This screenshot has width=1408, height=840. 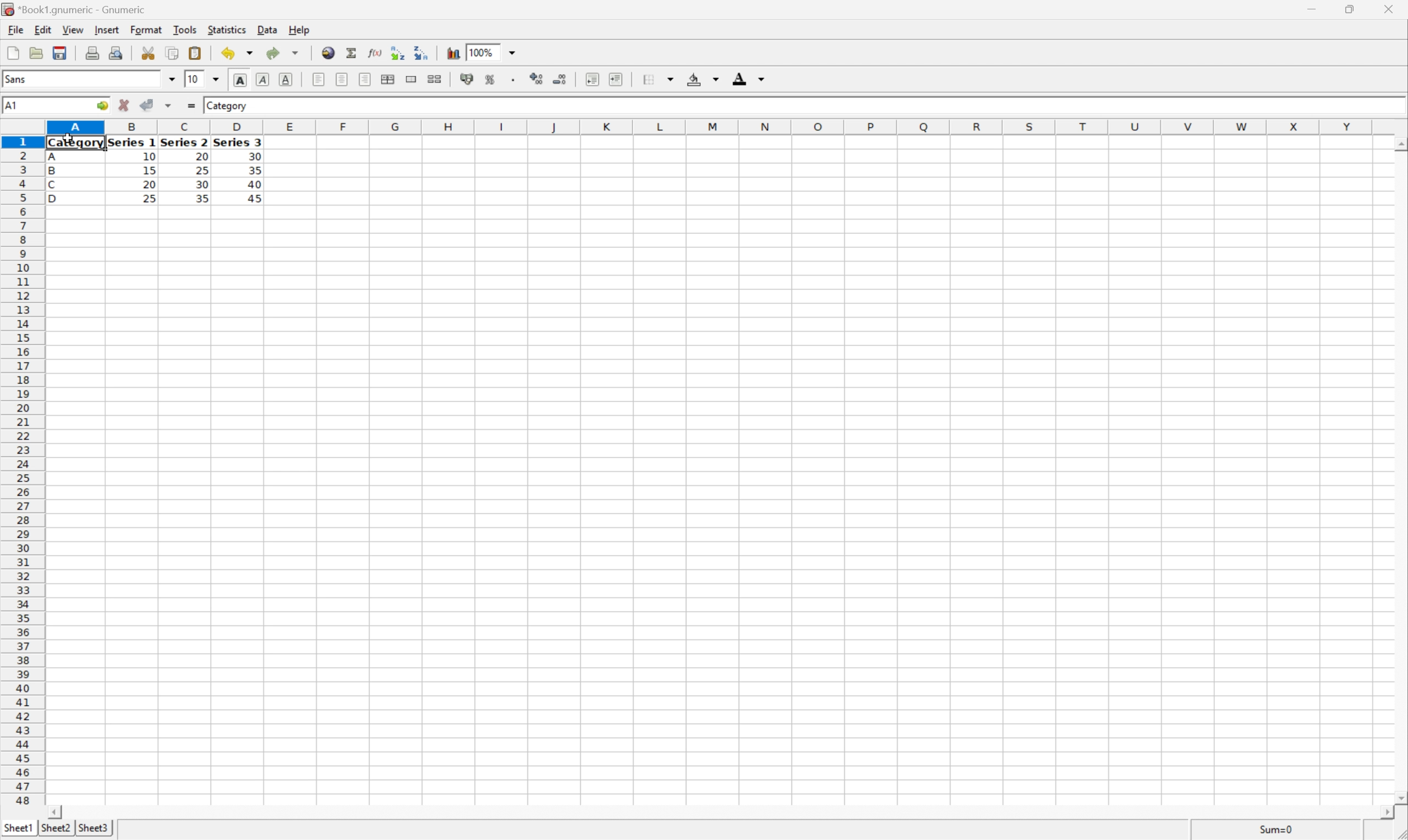 I want to click on Enter formula, so click(x=193, y=104).